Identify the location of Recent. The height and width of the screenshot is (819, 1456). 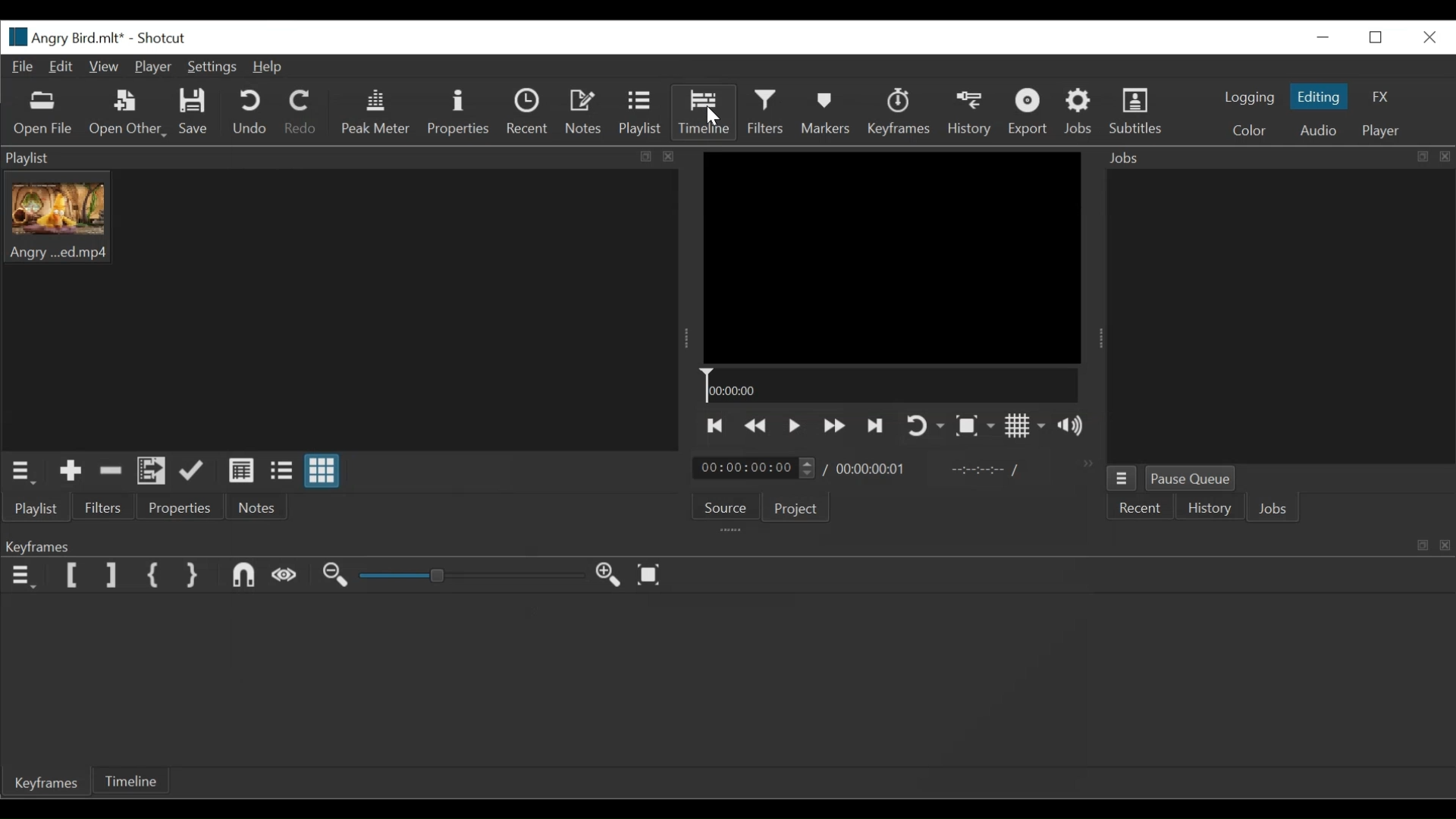
(526, 113).